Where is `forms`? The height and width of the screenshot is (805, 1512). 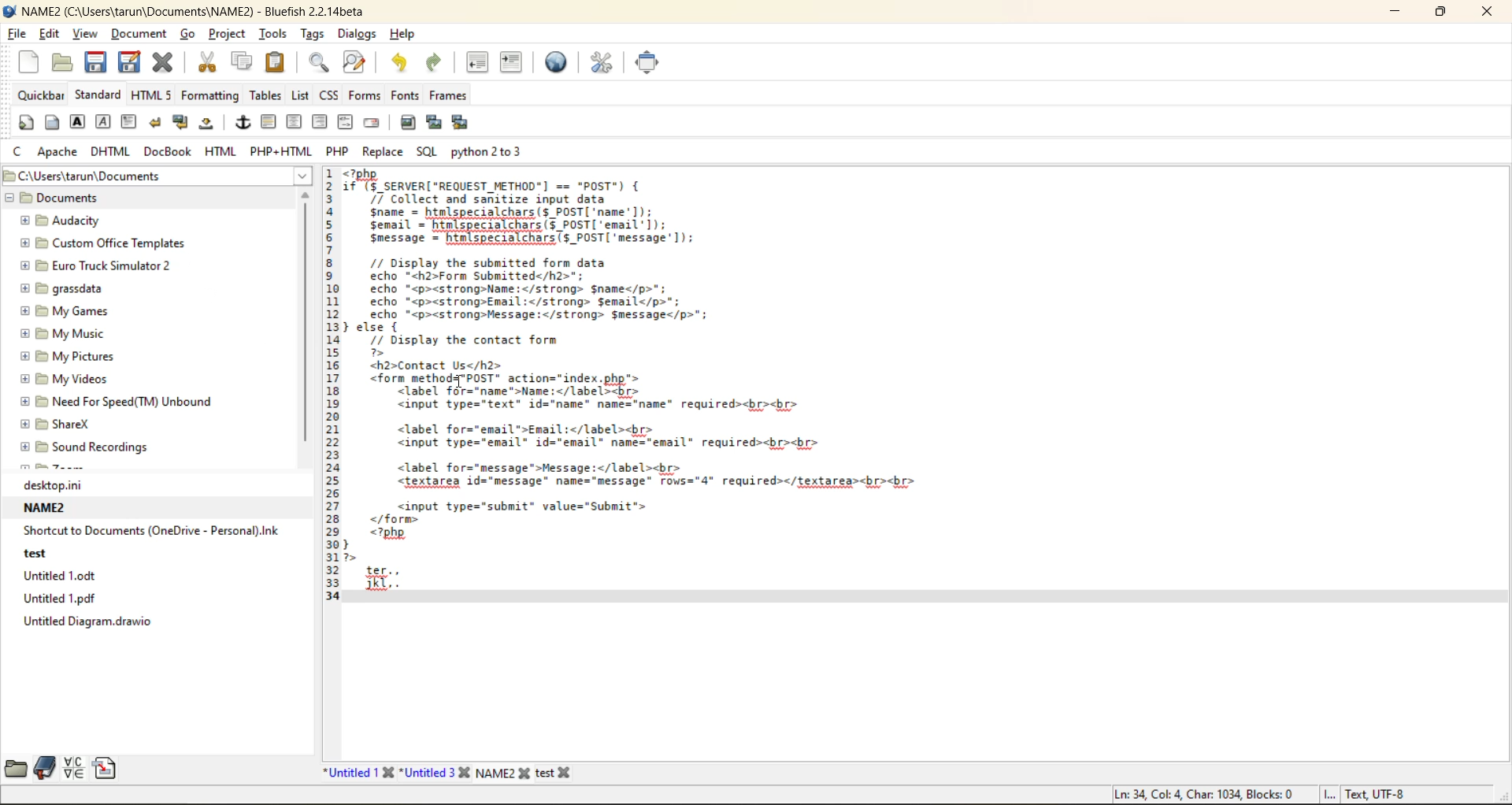
forms is located at coordinates (364, 96).